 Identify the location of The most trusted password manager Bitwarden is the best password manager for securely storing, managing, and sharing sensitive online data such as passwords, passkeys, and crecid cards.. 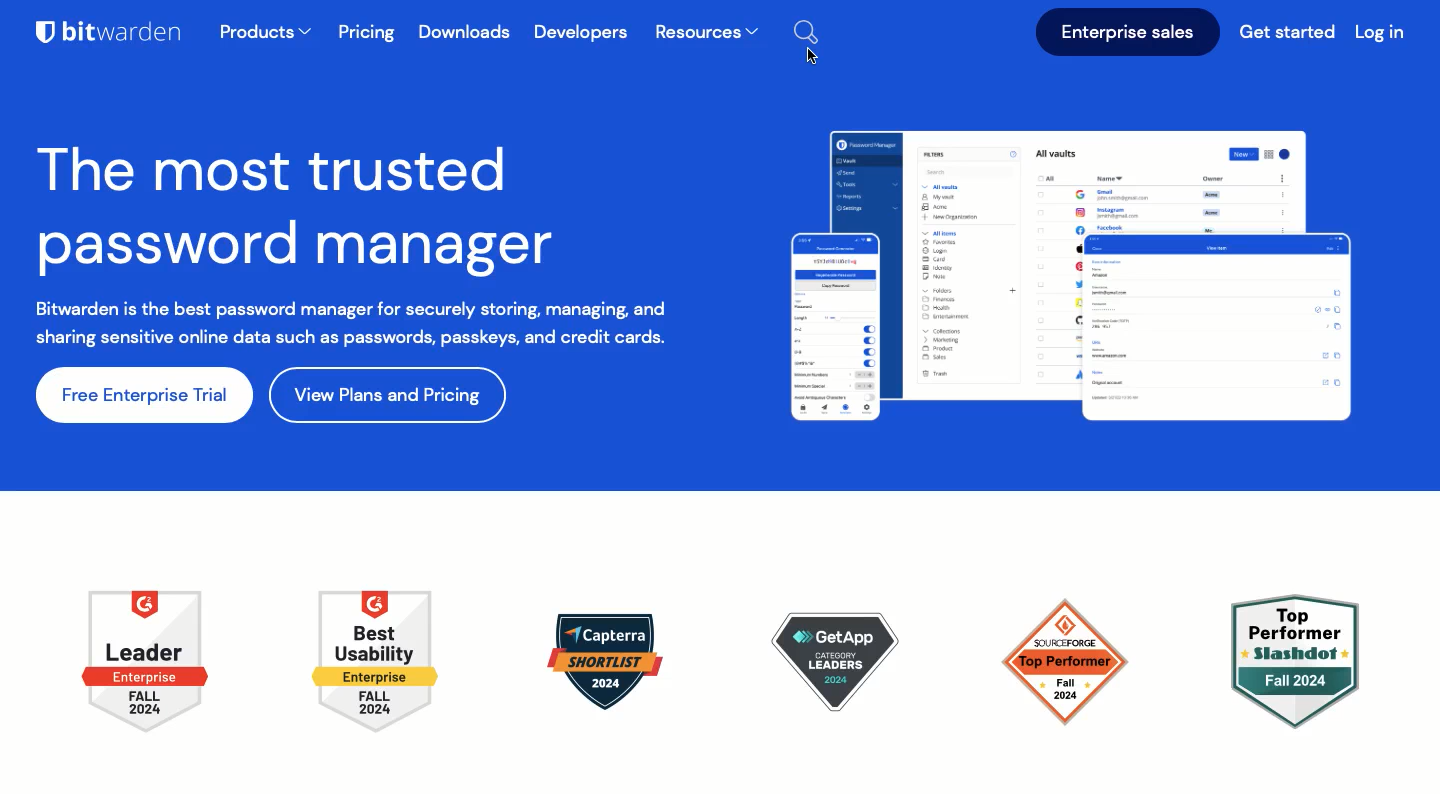
(353, 246).